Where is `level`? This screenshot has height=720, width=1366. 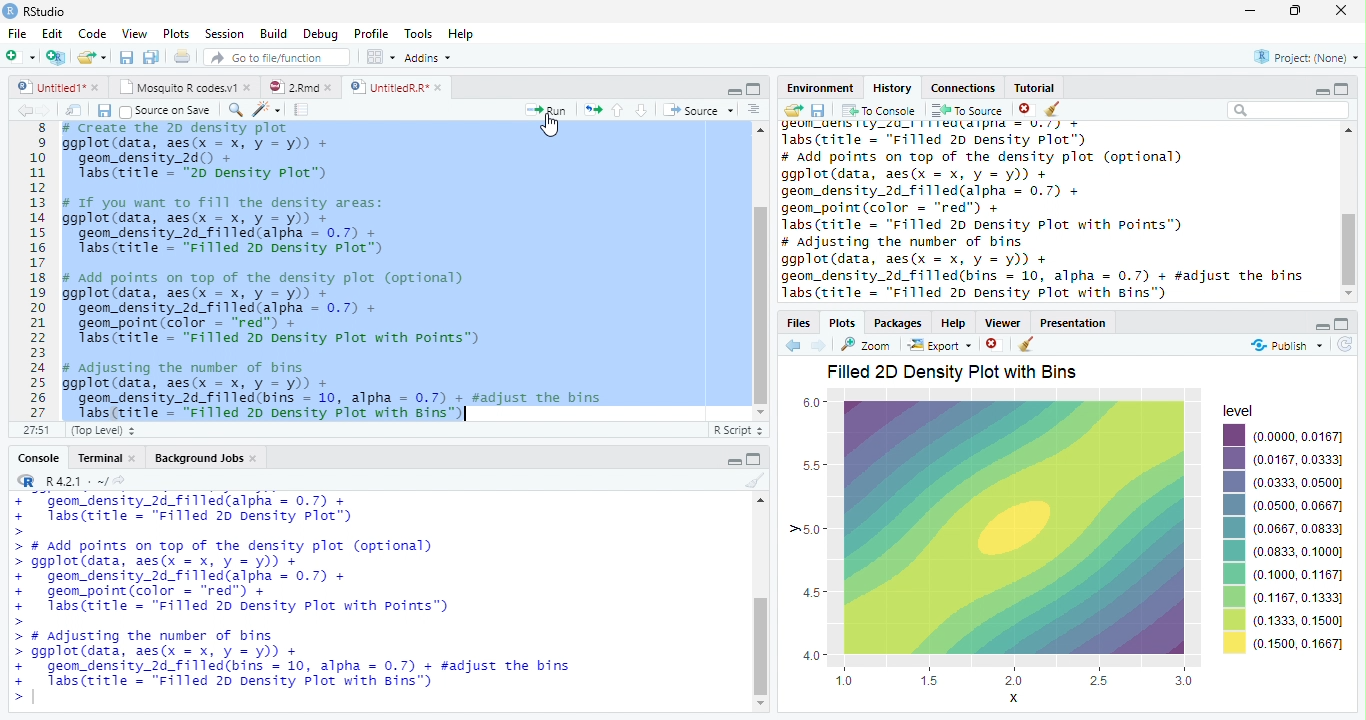
level is located at coordinates (1239, 409).